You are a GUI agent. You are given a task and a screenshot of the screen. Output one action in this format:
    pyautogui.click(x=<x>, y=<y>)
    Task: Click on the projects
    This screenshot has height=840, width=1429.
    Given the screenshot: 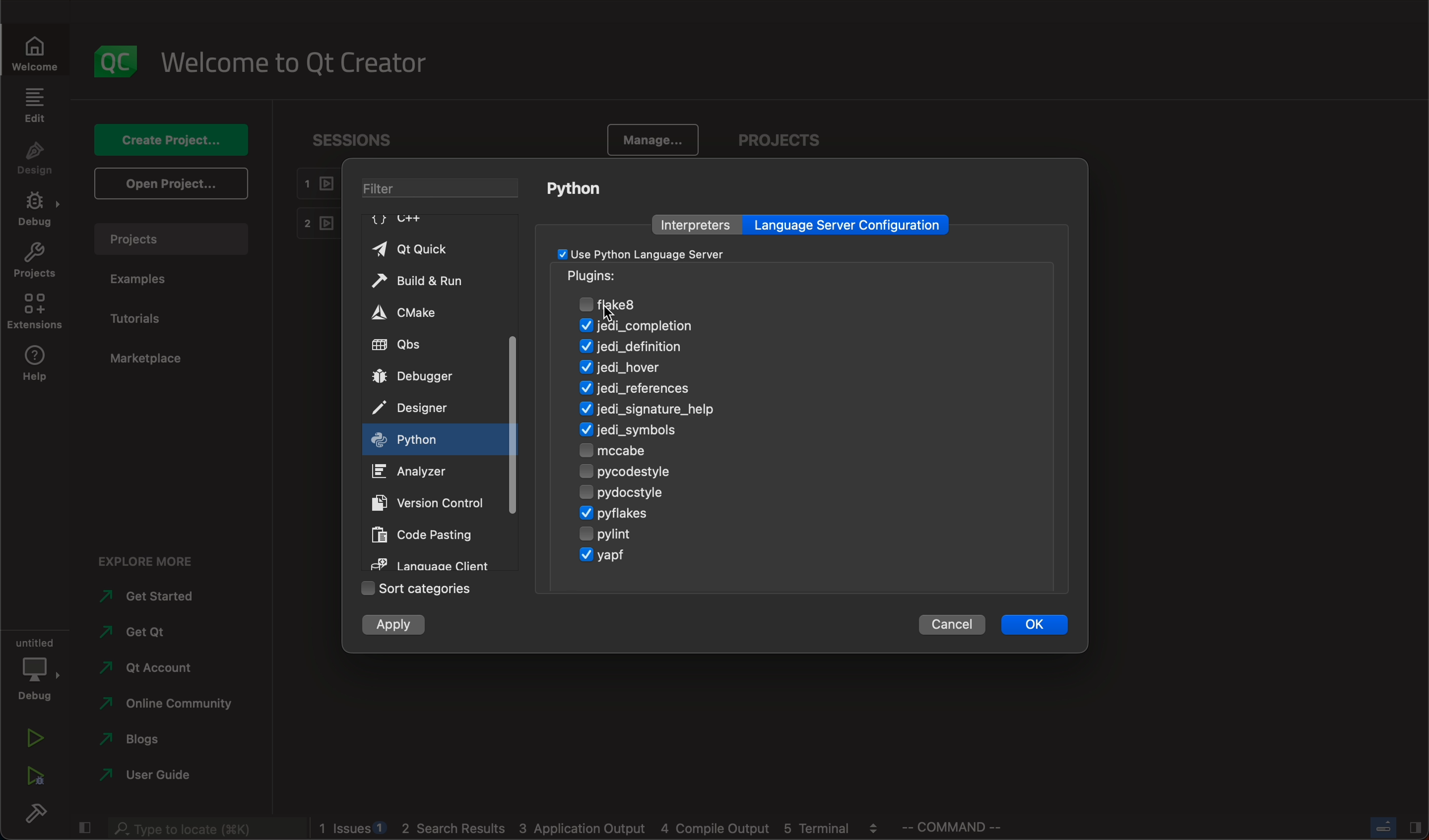 What is the action you would take?
    pyautogui.click(x=780, y=138)
    